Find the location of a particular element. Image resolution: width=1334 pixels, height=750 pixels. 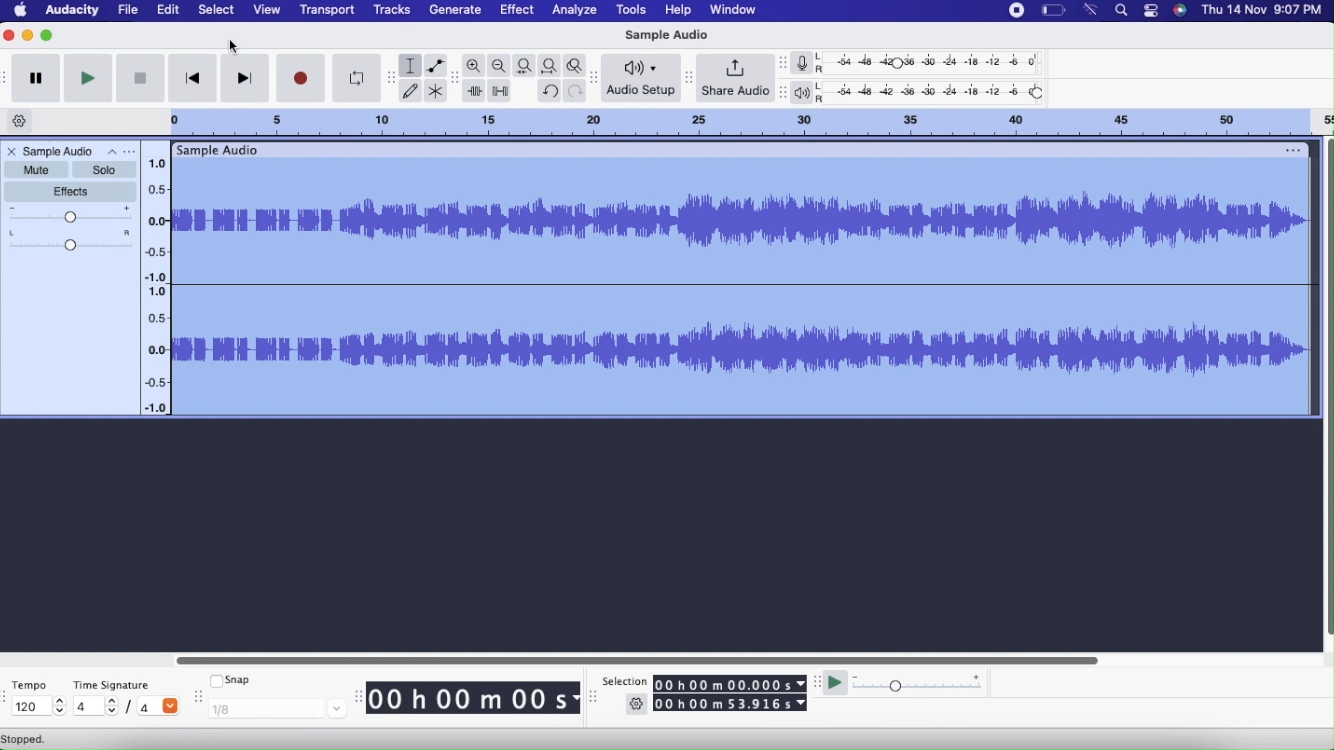

Trim outside selection is located at coordinates (475, 90).